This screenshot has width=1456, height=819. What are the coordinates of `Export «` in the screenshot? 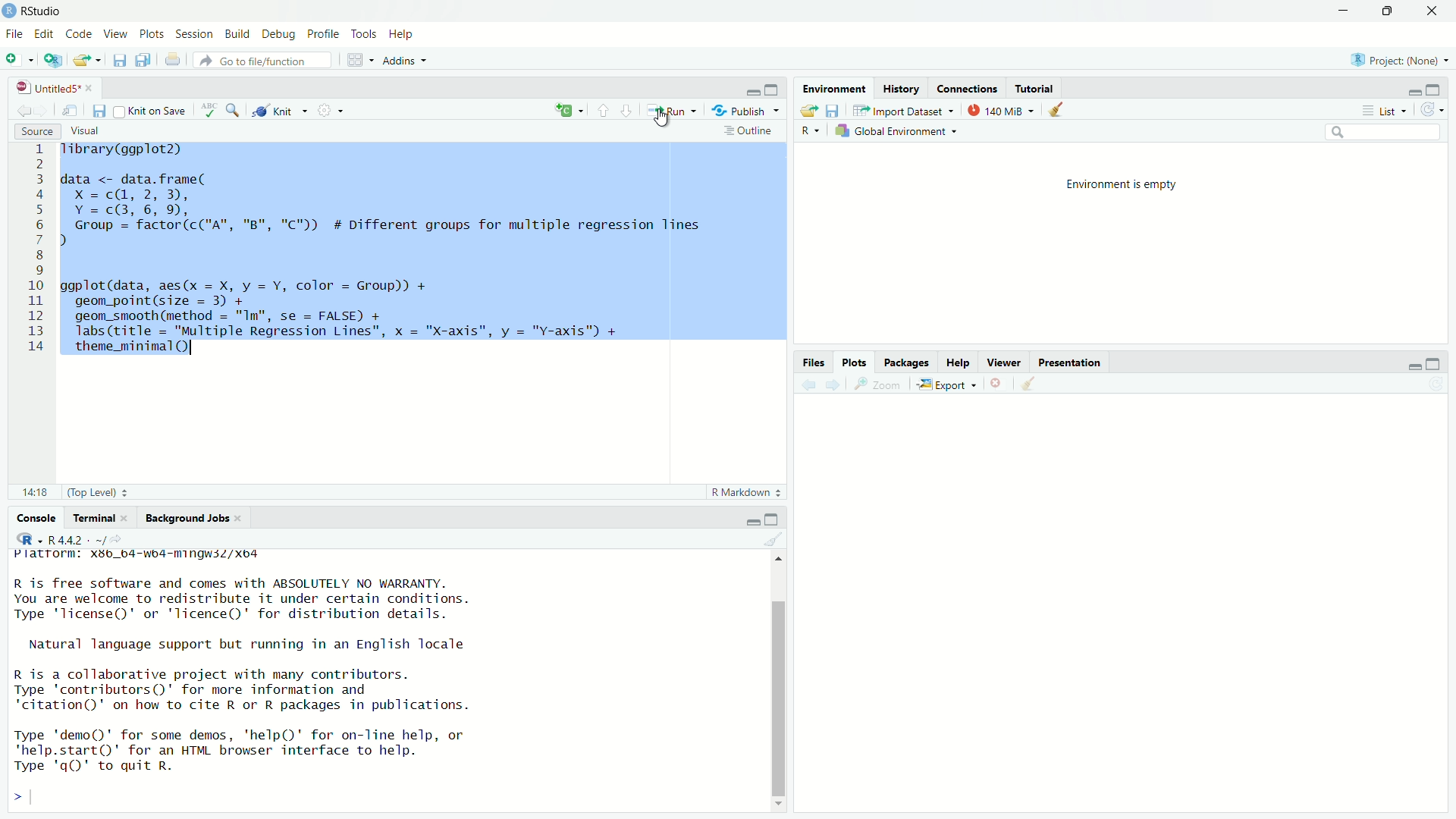 It's located at (945, 384).